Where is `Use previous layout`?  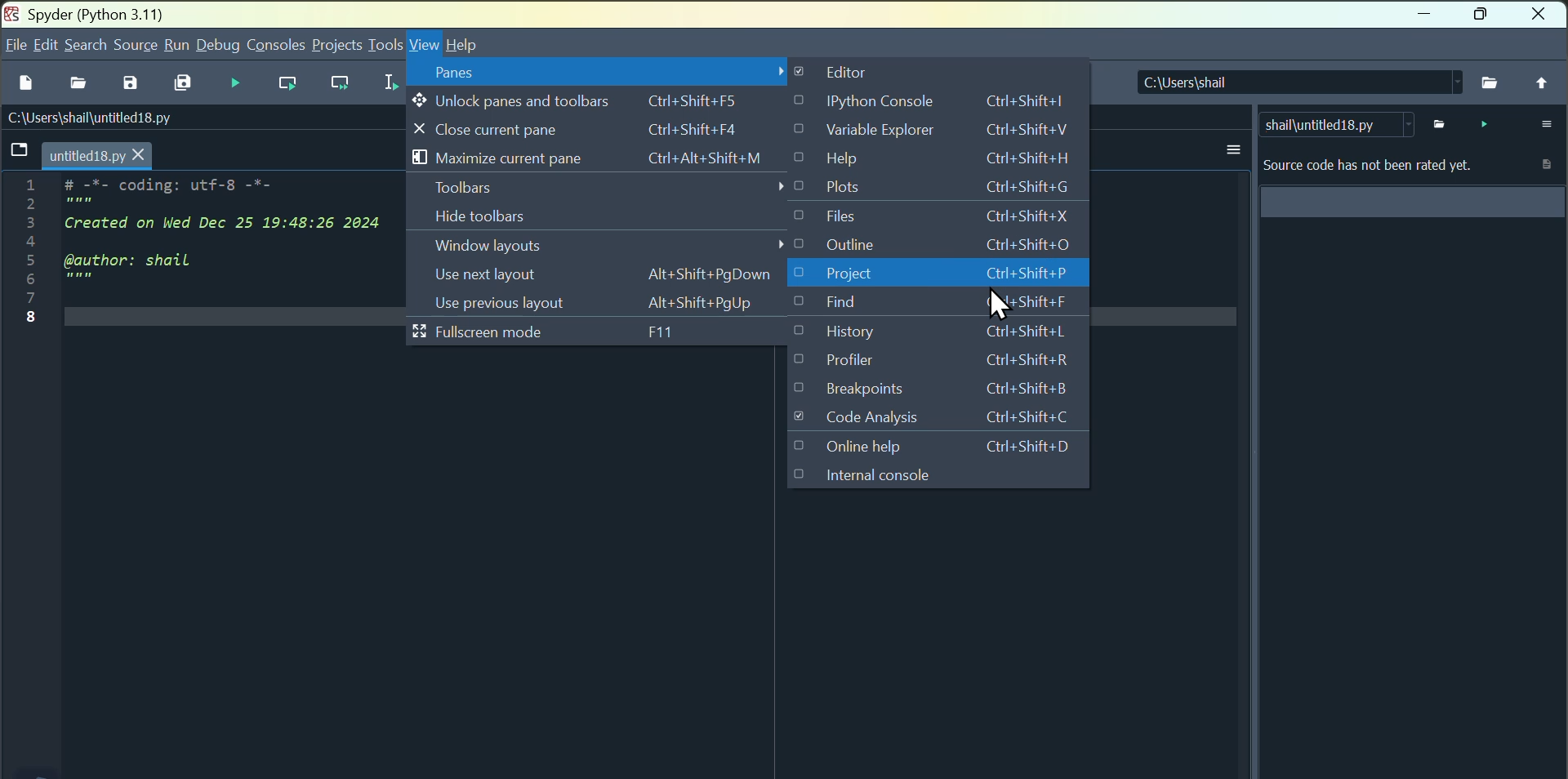 Use previous layout is located at coordinates (594, 304).